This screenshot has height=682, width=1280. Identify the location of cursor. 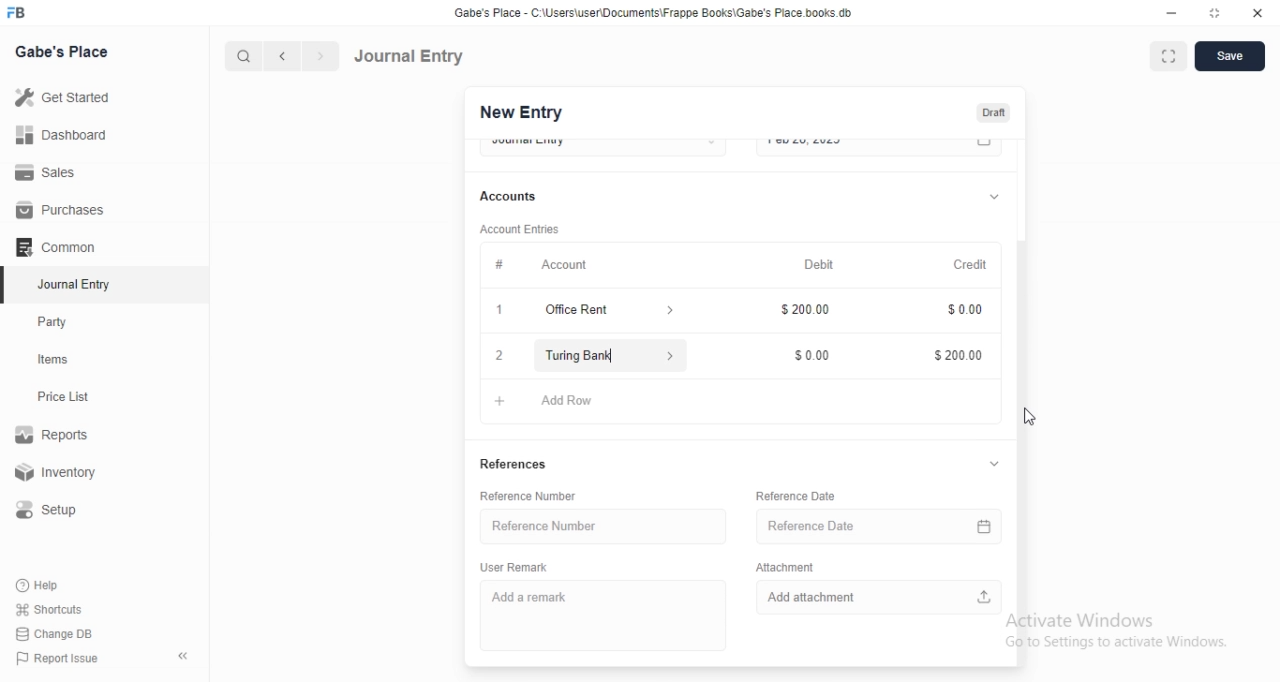
(1028, 414).